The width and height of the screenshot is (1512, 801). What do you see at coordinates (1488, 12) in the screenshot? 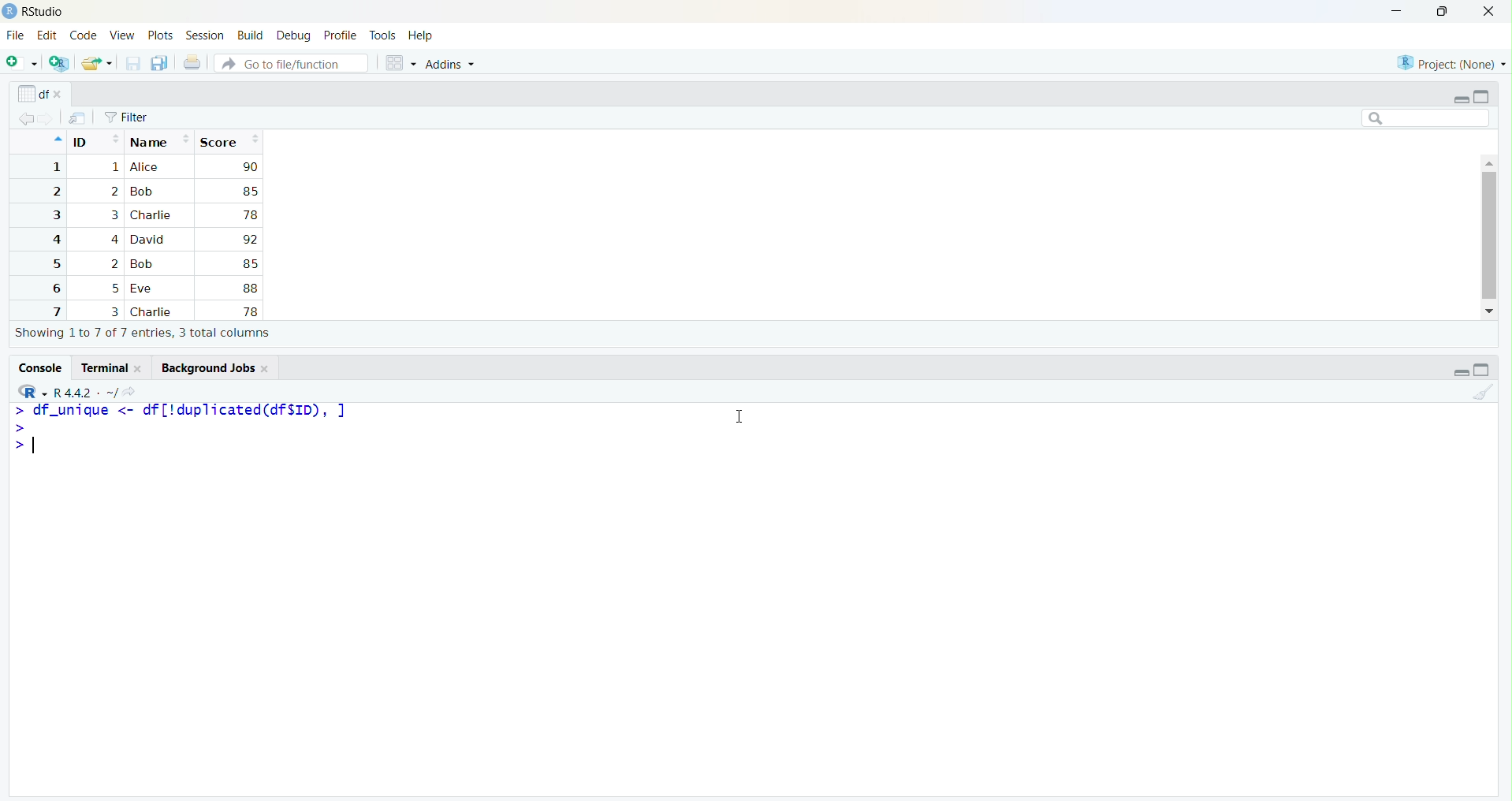
I see `close` at bounding box center [1488, 12].